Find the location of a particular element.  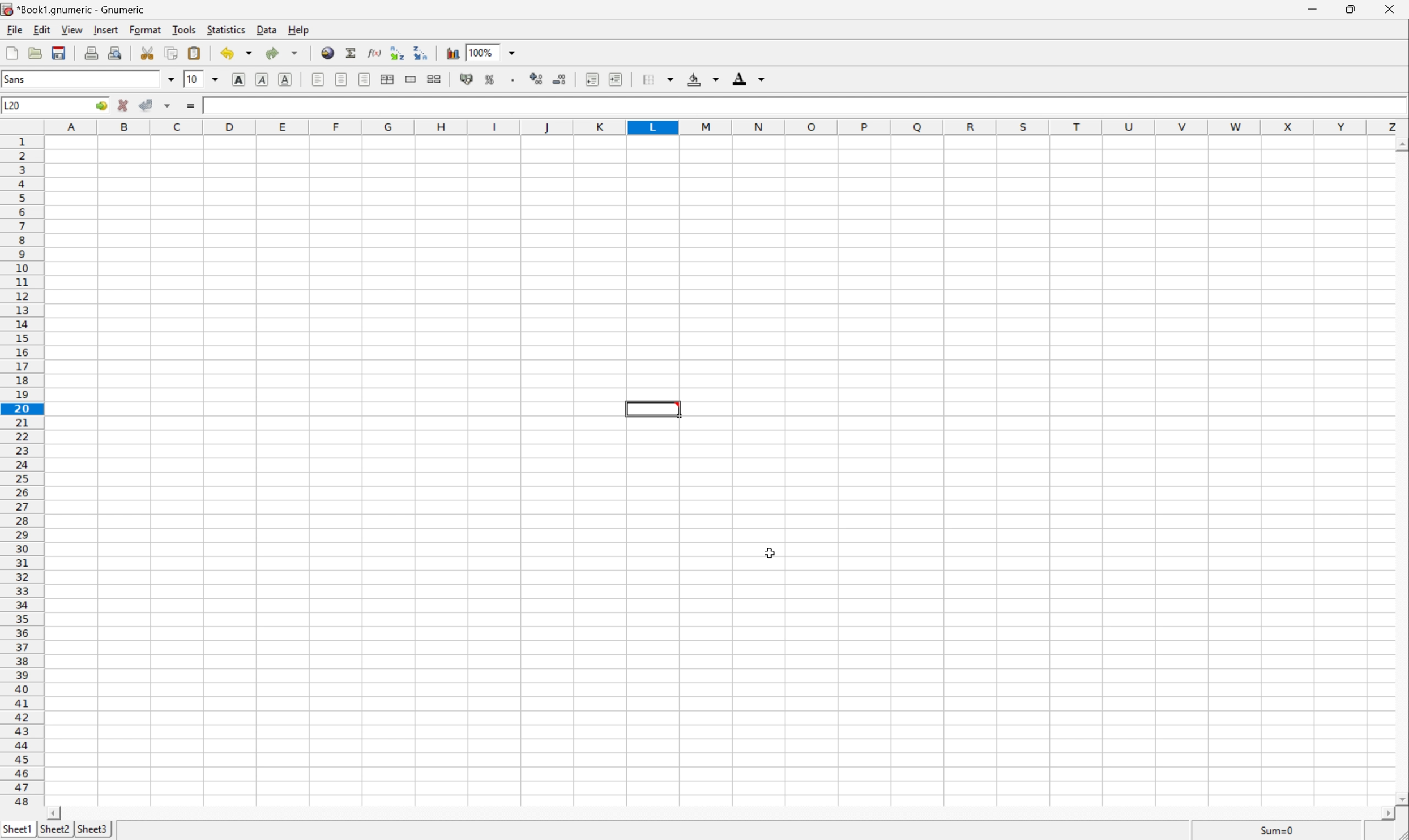

Bold is located at coordinates (237, 79).